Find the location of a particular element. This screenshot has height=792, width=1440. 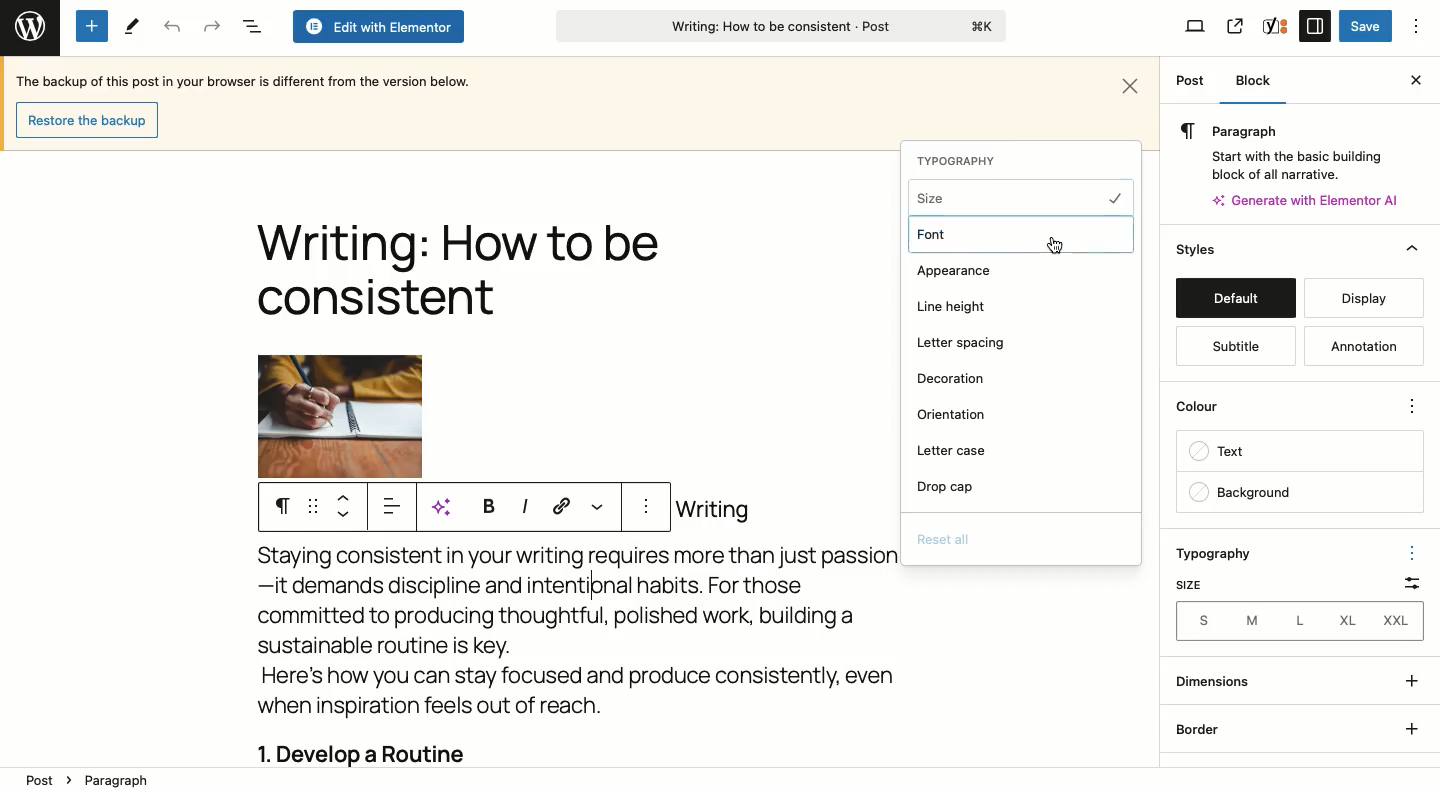

Bold is located at coordinates (486, 505).